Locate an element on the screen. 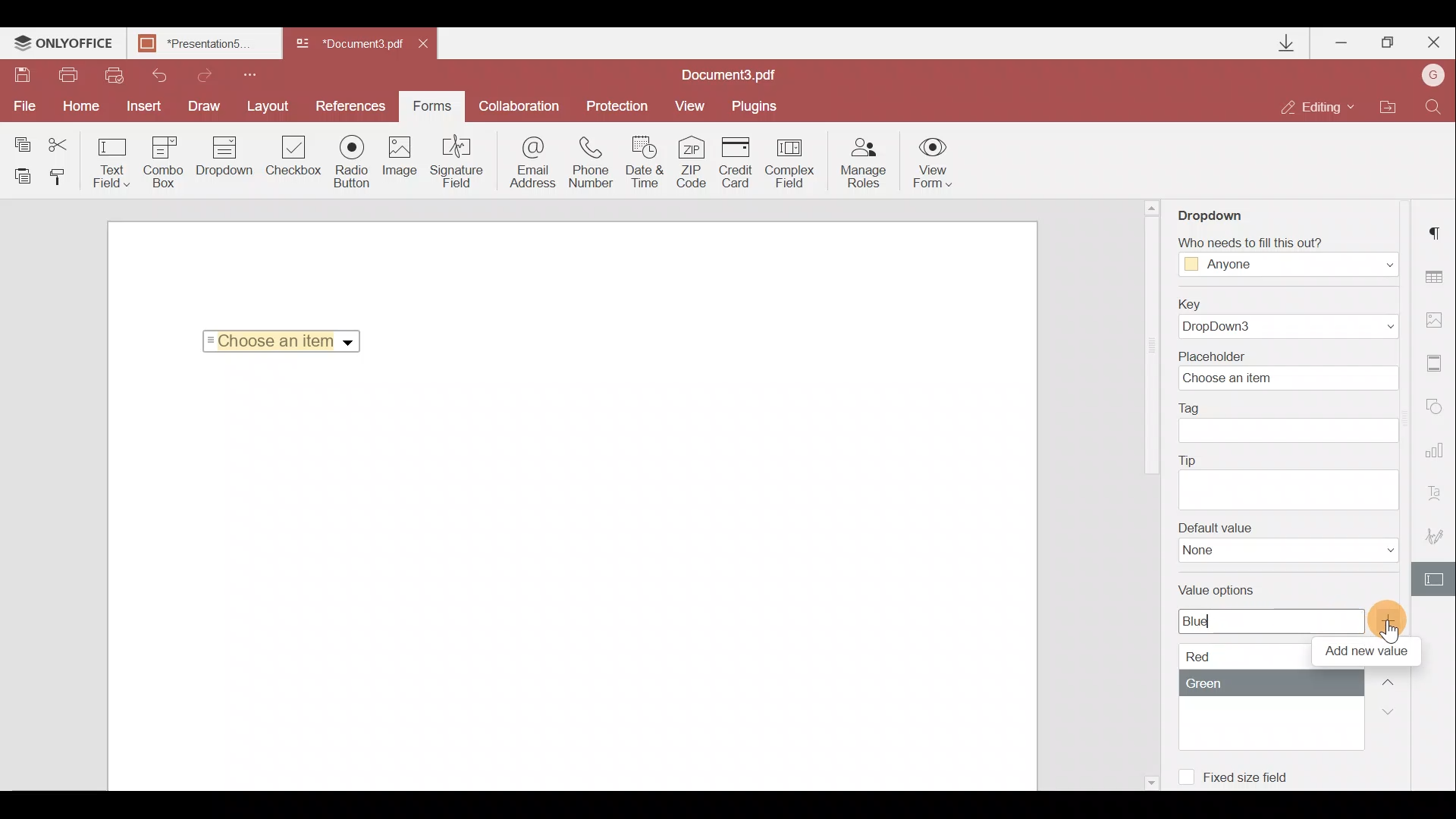 The width and height of the screenshot is (1456, 819). Editing mode is located at coordinates (1319, 108).